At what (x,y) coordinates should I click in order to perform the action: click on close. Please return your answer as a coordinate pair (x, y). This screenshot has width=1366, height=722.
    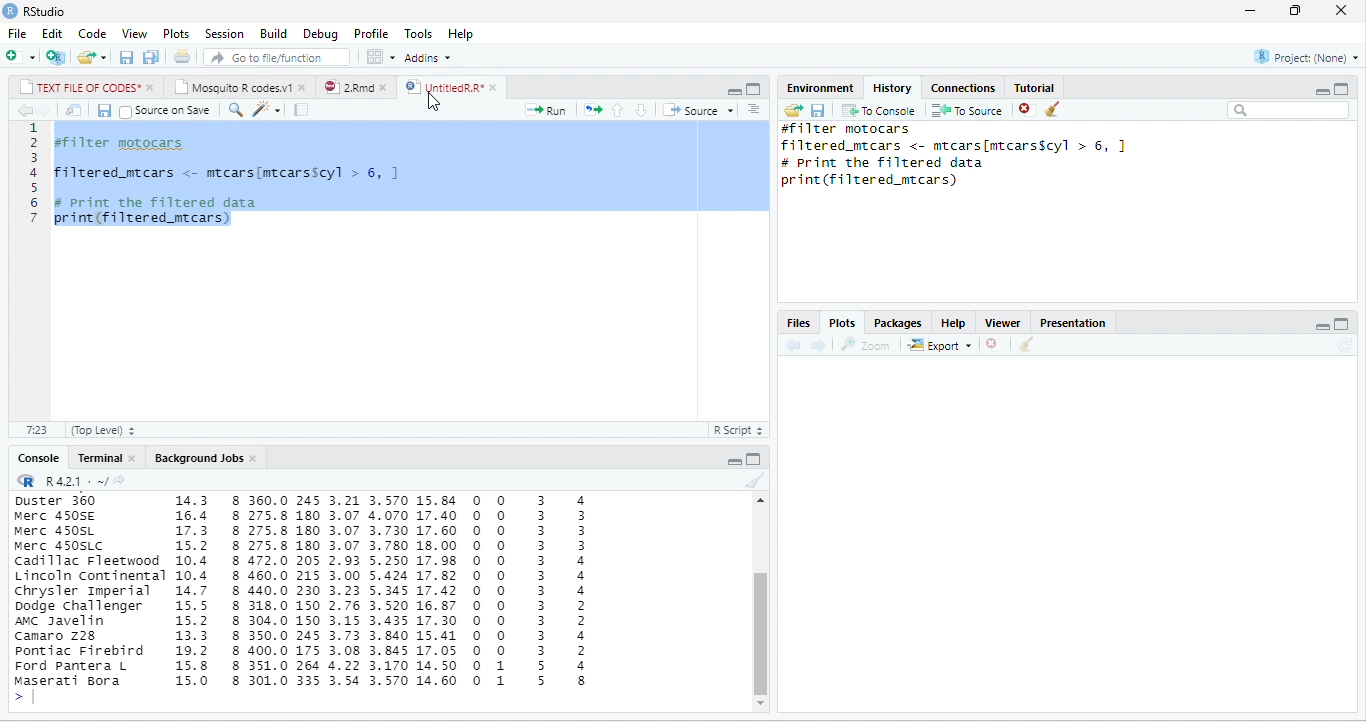
    Looking at the image, I should click on (134, 457).